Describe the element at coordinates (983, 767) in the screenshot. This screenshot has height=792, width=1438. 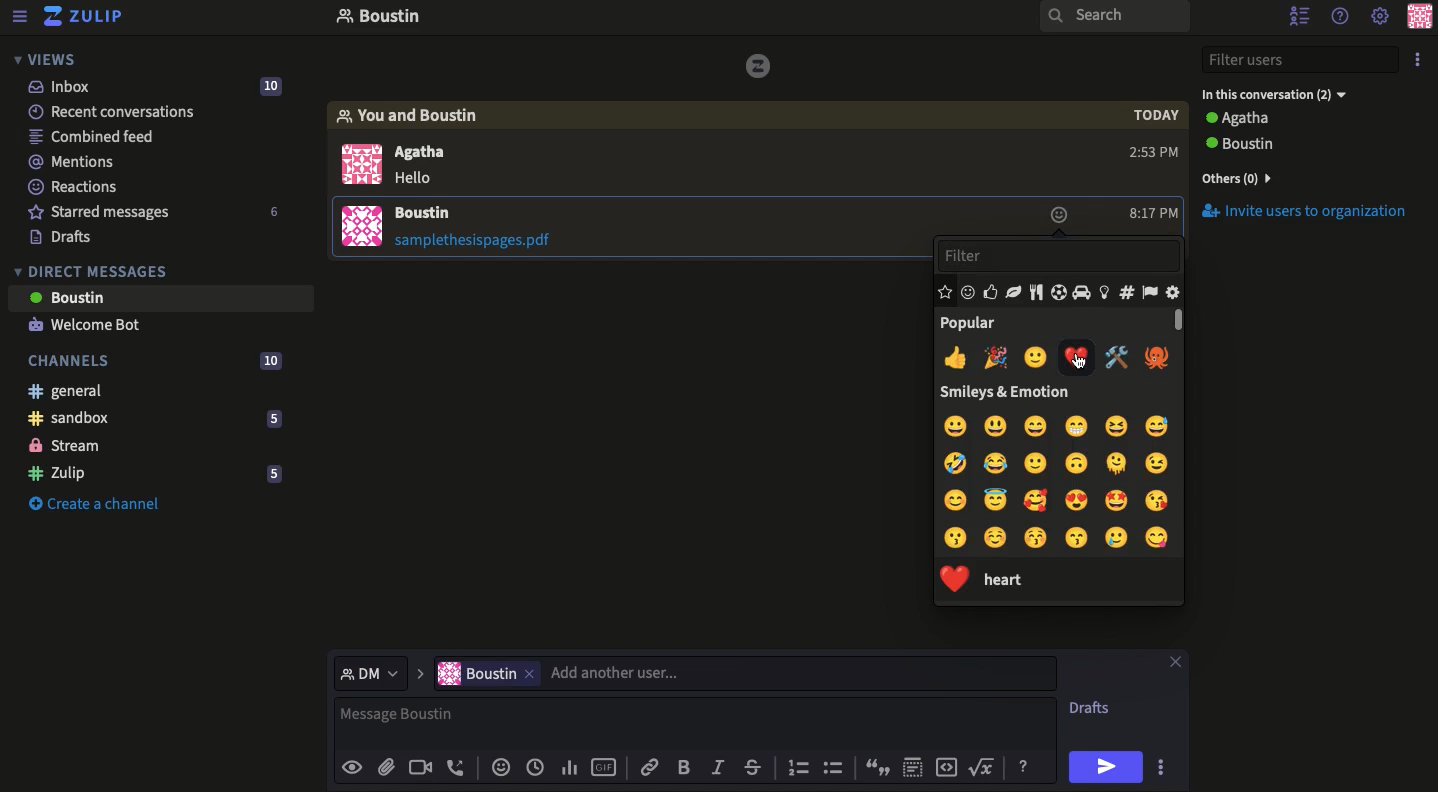
I see `Root` at that location.